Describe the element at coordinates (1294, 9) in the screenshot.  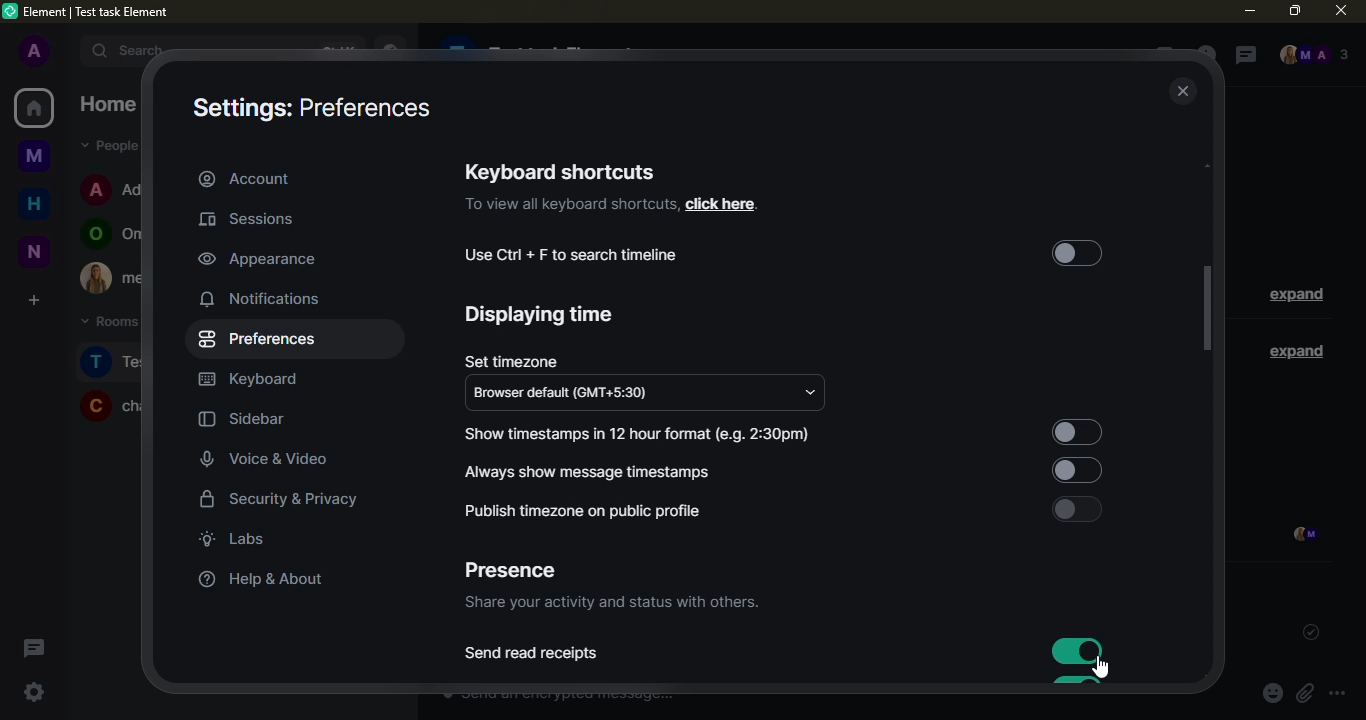
I see `maximize` at that location.